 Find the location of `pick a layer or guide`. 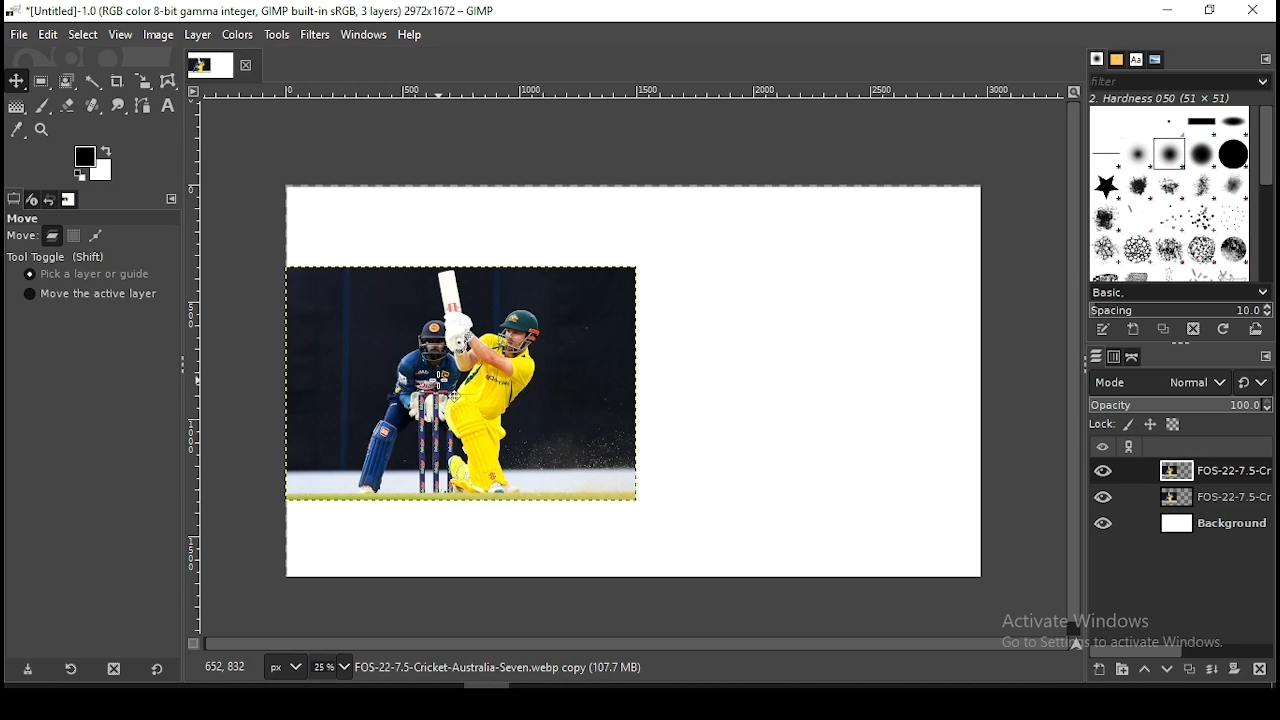

pick a layer or guide is located at coordinates (89, 276).